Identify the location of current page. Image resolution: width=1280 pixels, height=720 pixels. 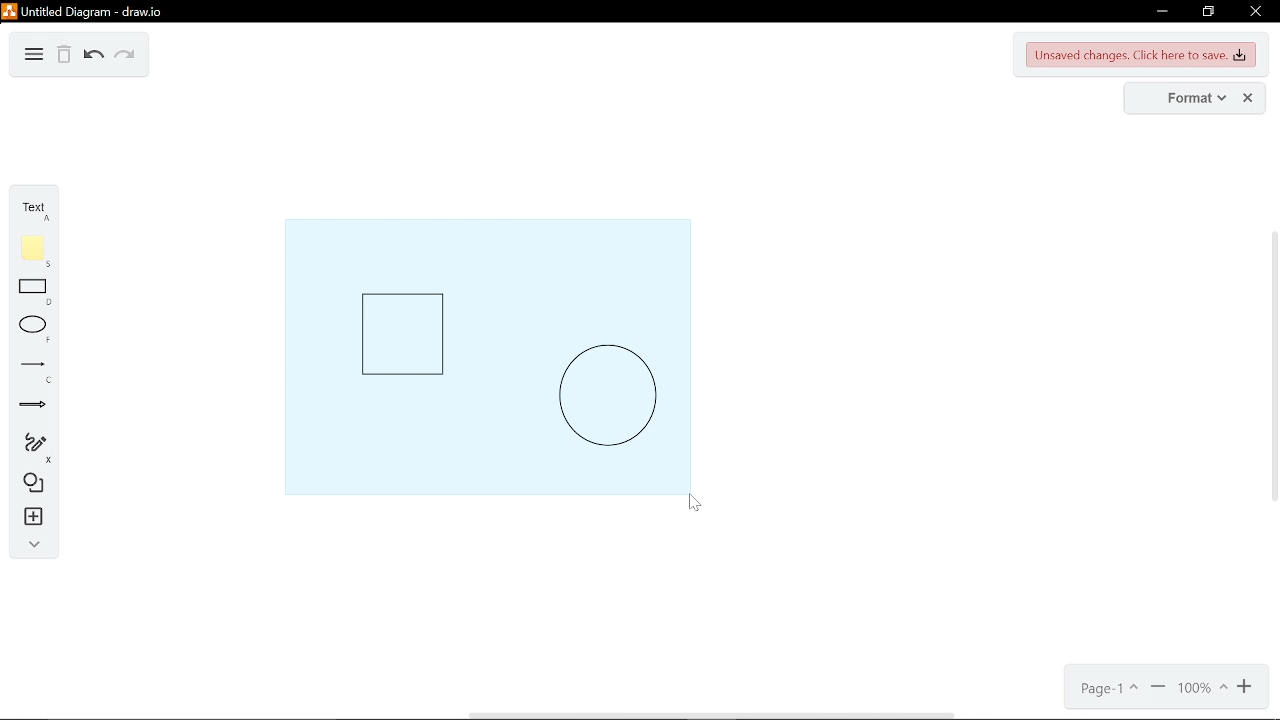
(1104, 691).